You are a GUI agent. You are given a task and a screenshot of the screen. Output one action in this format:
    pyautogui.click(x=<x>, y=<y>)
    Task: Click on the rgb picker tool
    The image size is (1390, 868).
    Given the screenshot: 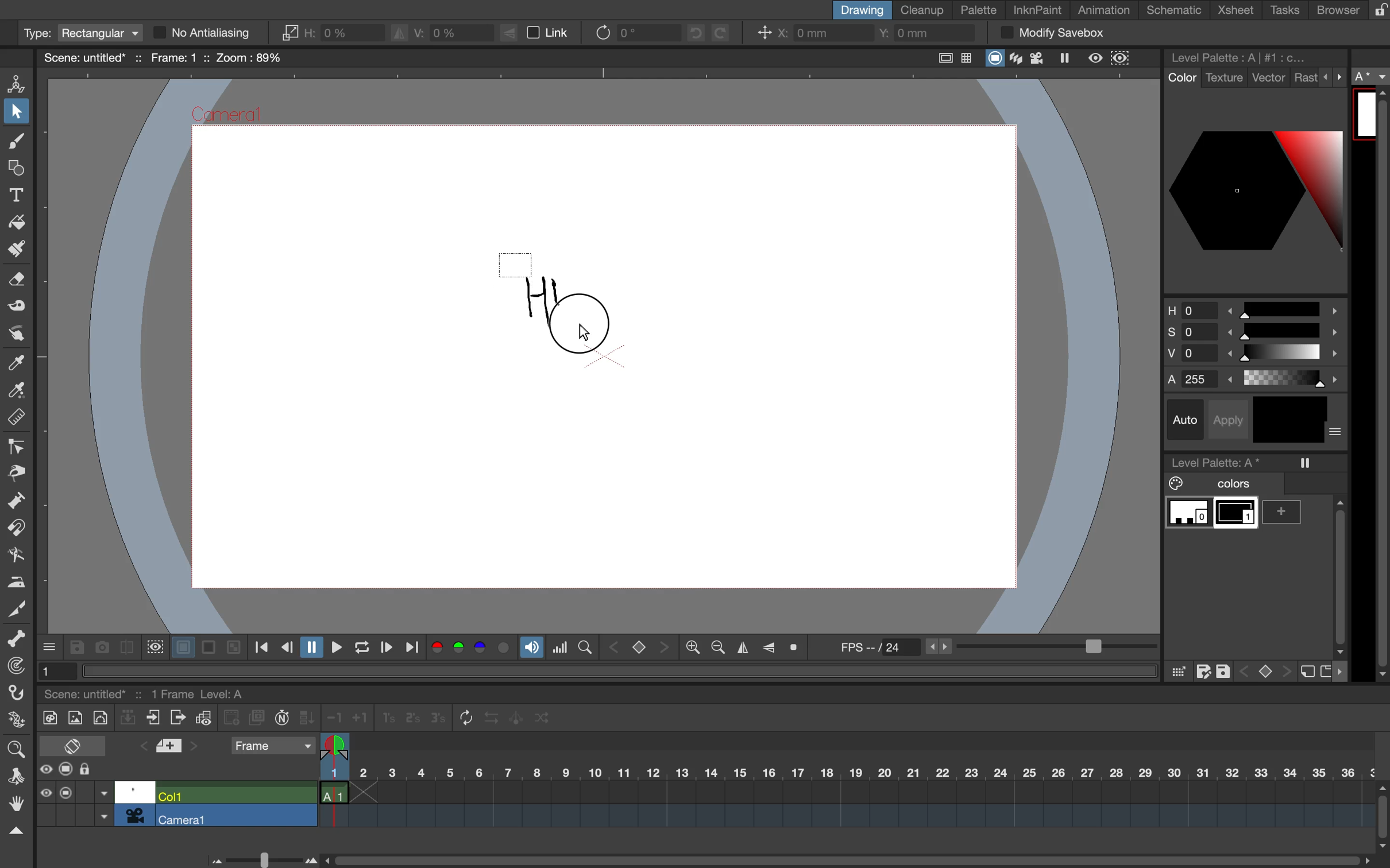 What is the action you would take?
    pyautogui.click(x=14, y=391)
    